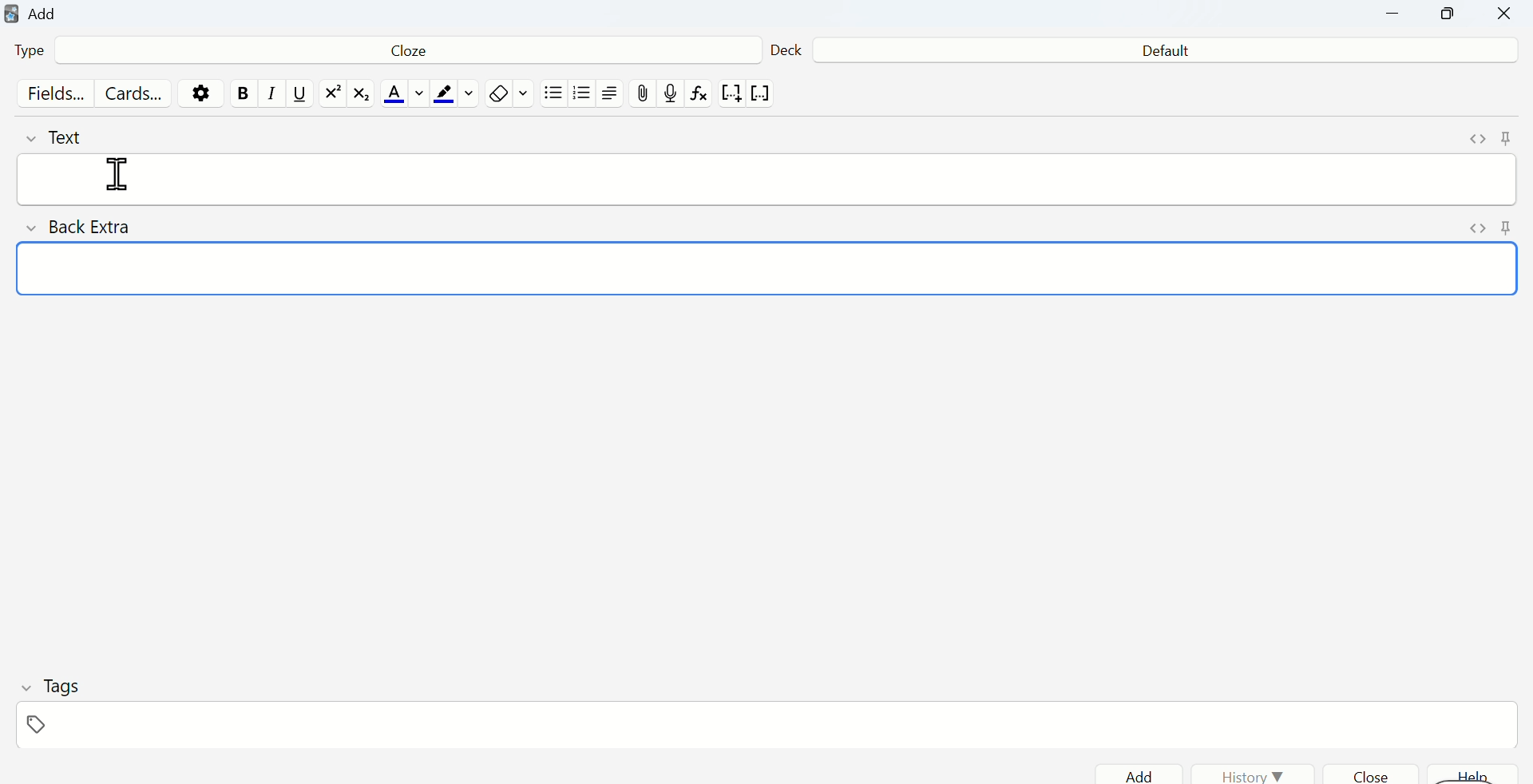 Image resolution: width=1533 pixels, height=784 pixels. I want to click on formula, so click(701, 97).